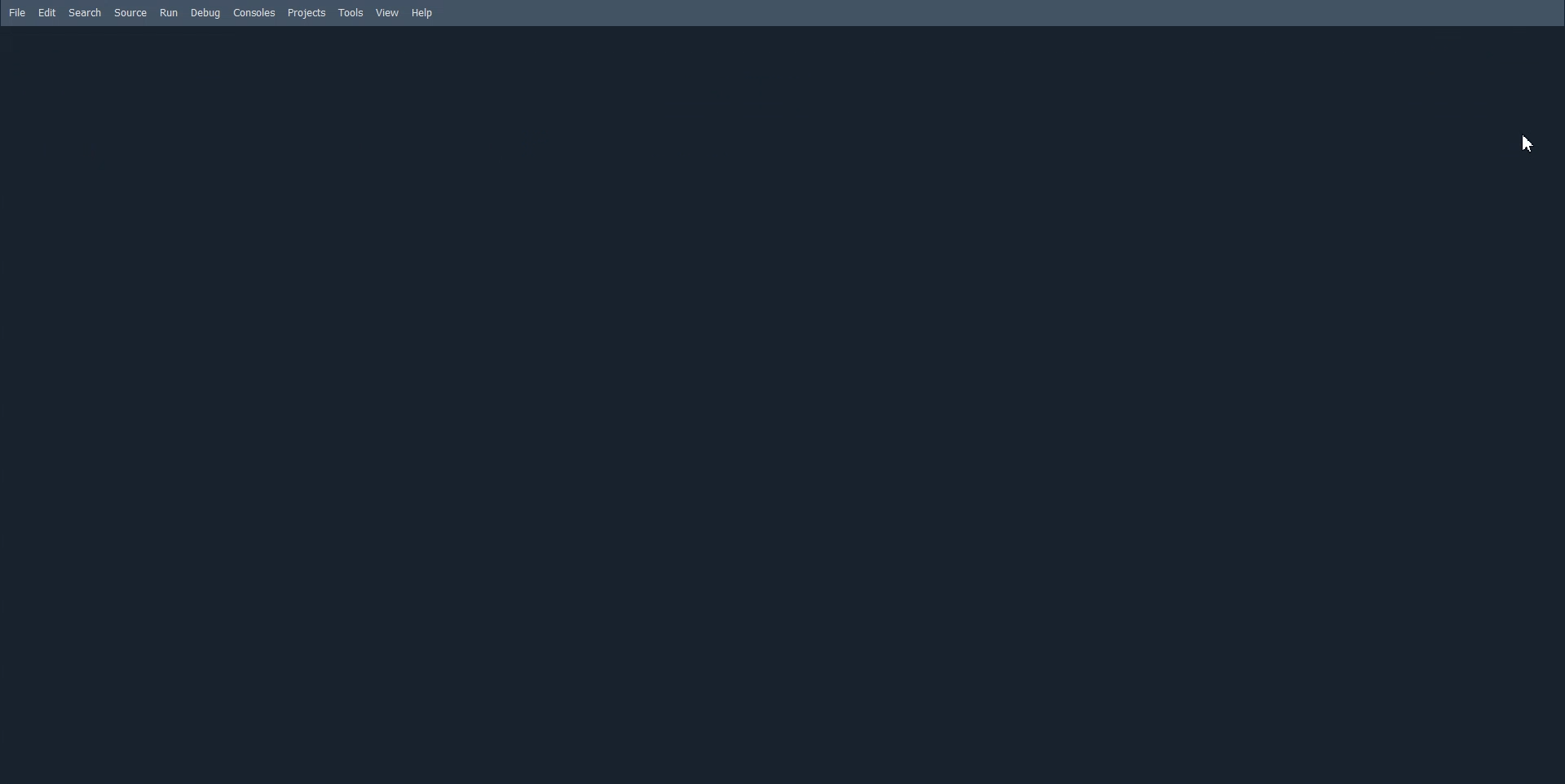  What do you see at coordinates (254, 12) in the screenshot?
I see `Consoles` at bounding box center [254, 12].